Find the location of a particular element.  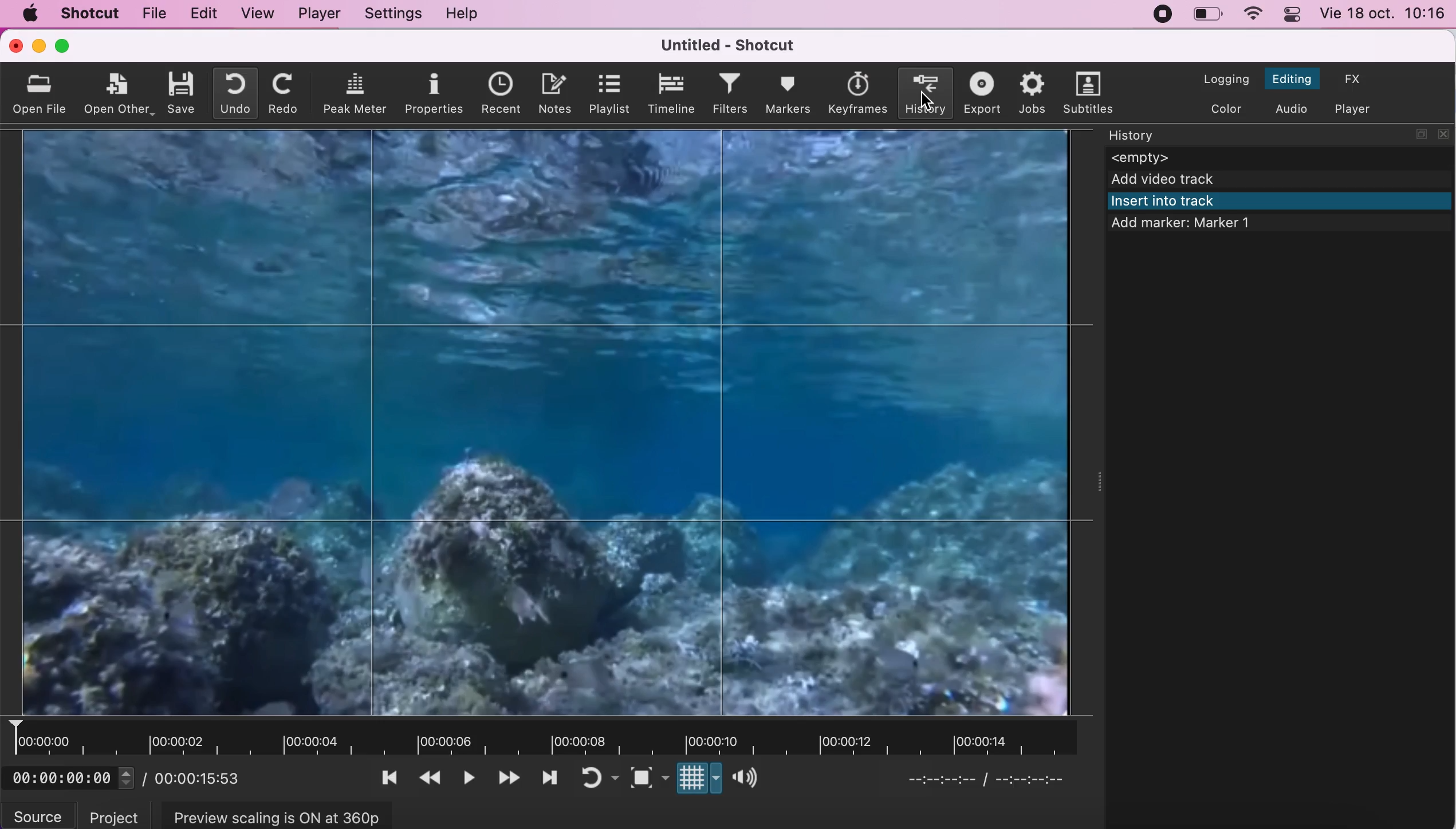

play quickly backwards is located at coordinates (436, 775).